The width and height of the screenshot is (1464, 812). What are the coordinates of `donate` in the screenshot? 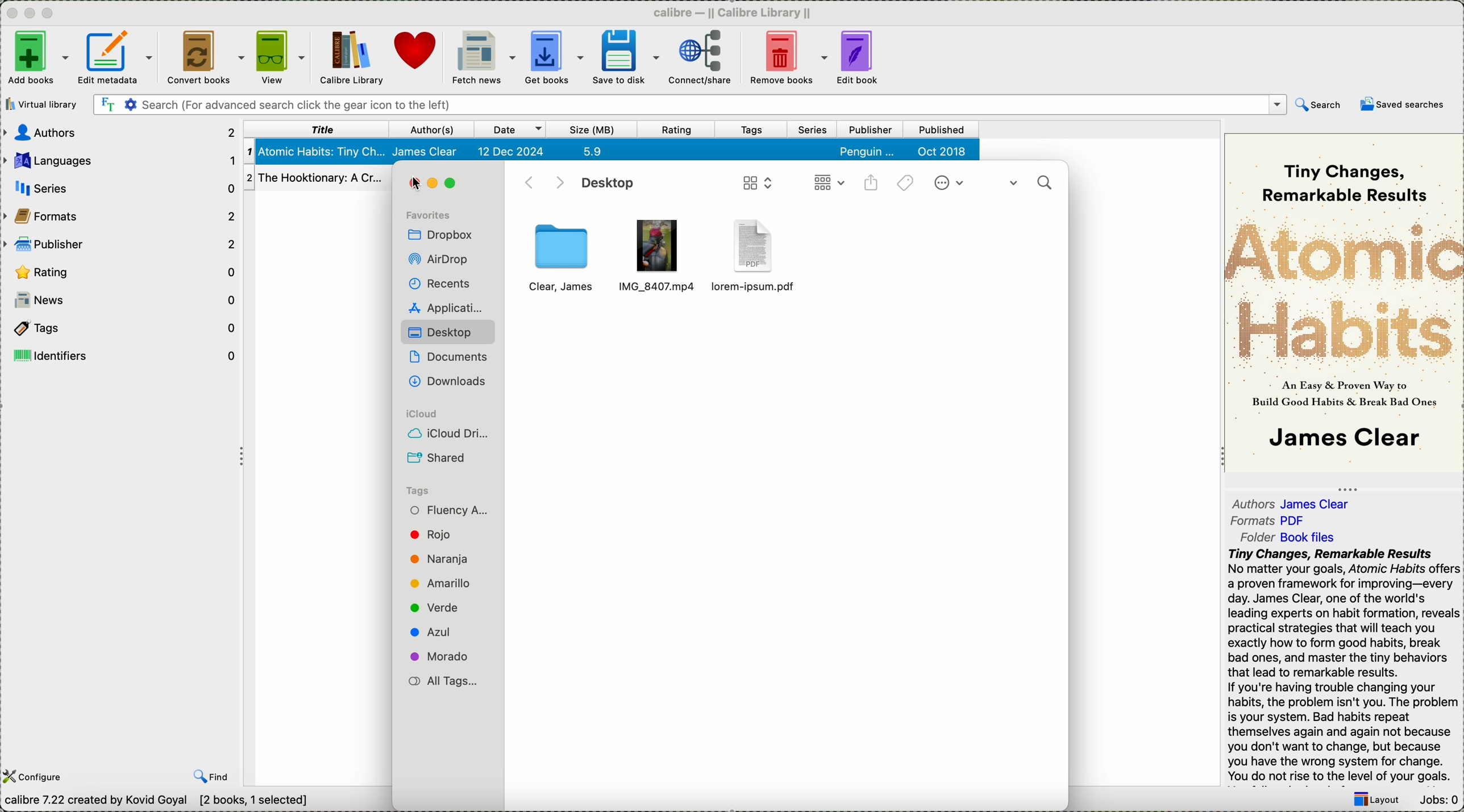 It's located at (418, 53).